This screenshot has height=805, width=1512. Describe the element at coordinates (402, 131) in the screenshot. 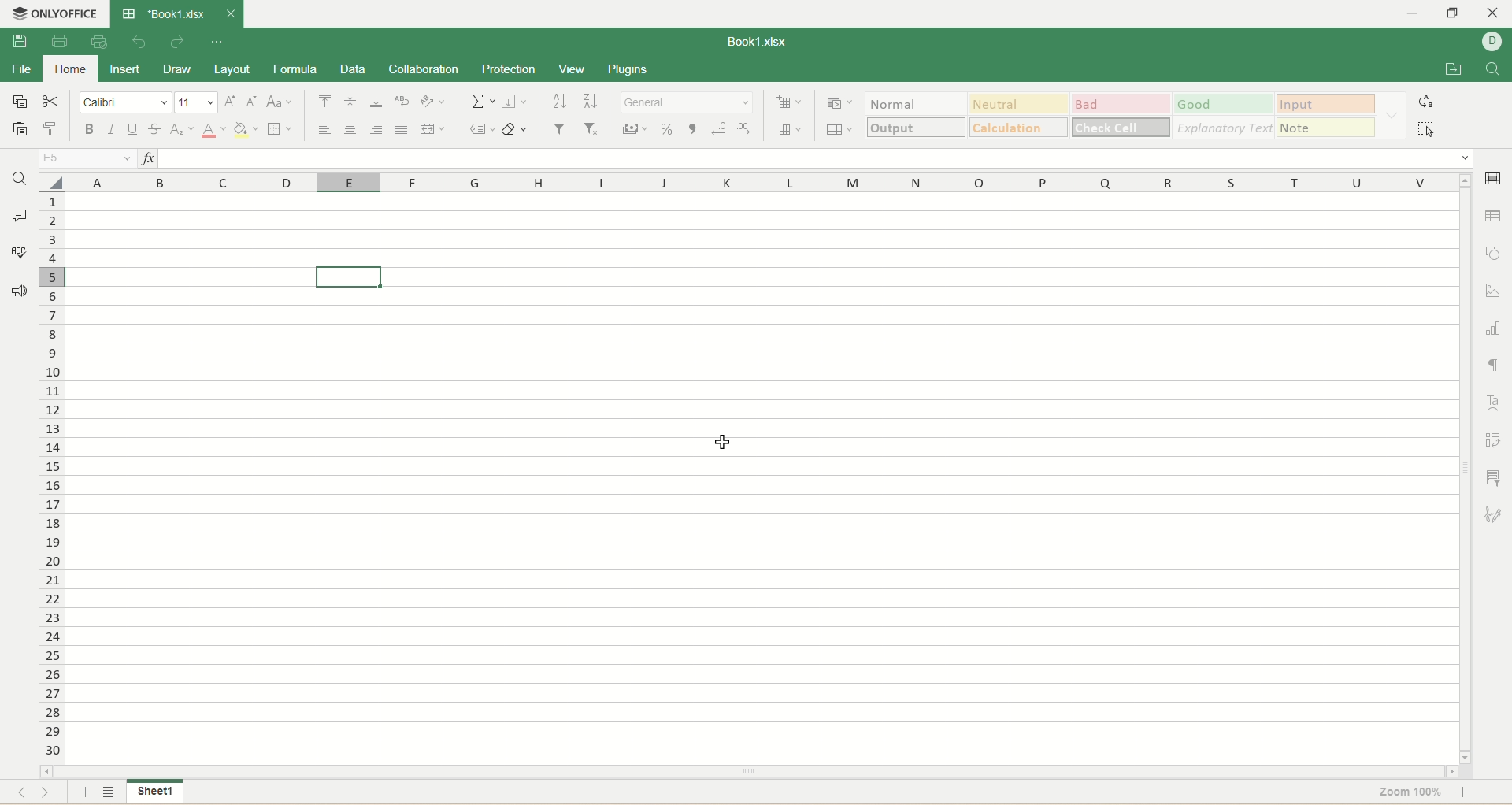

I see `justified` at that location.